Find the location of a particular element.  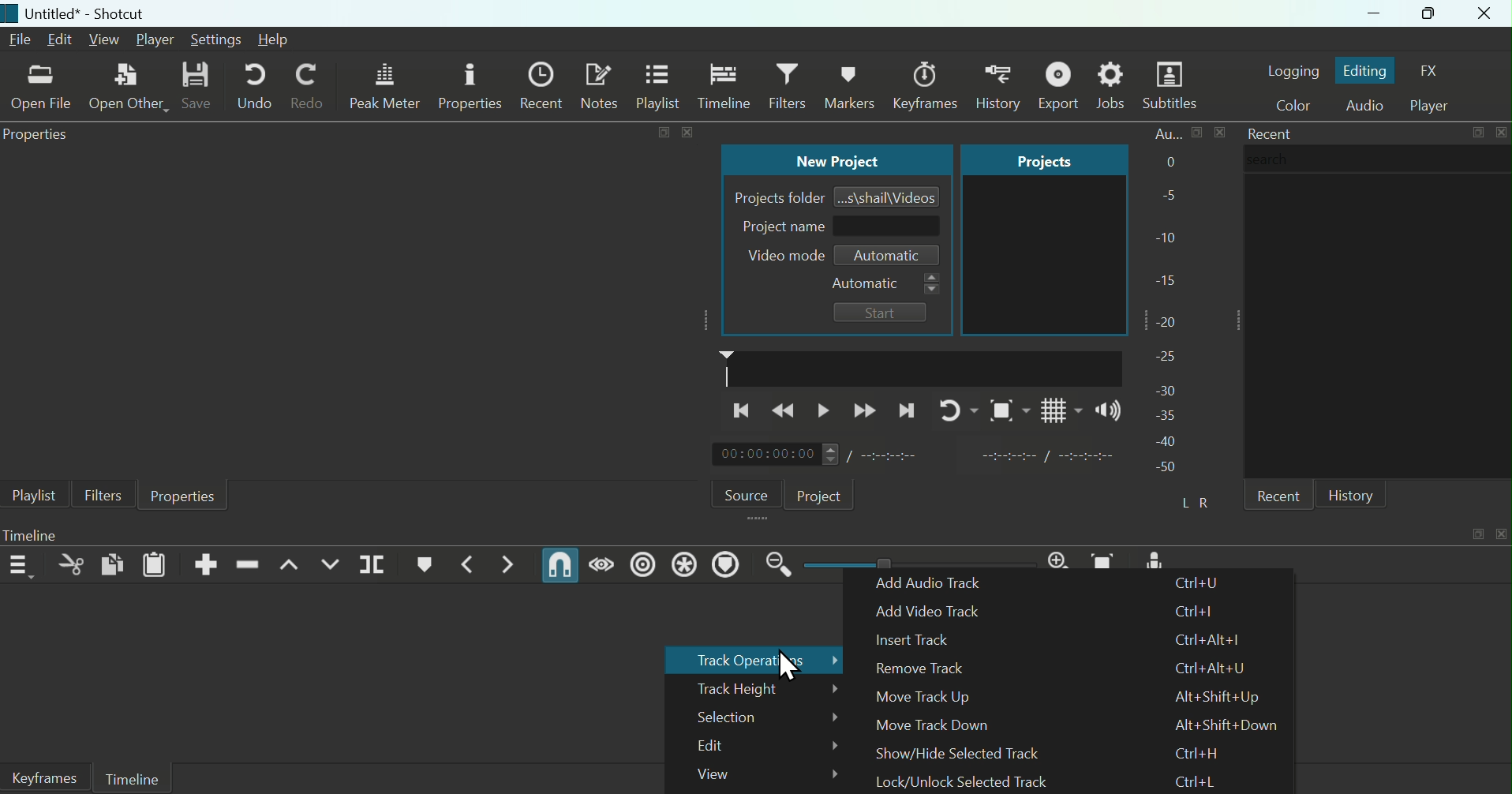

Ripple is located at coordinates (642, 567).